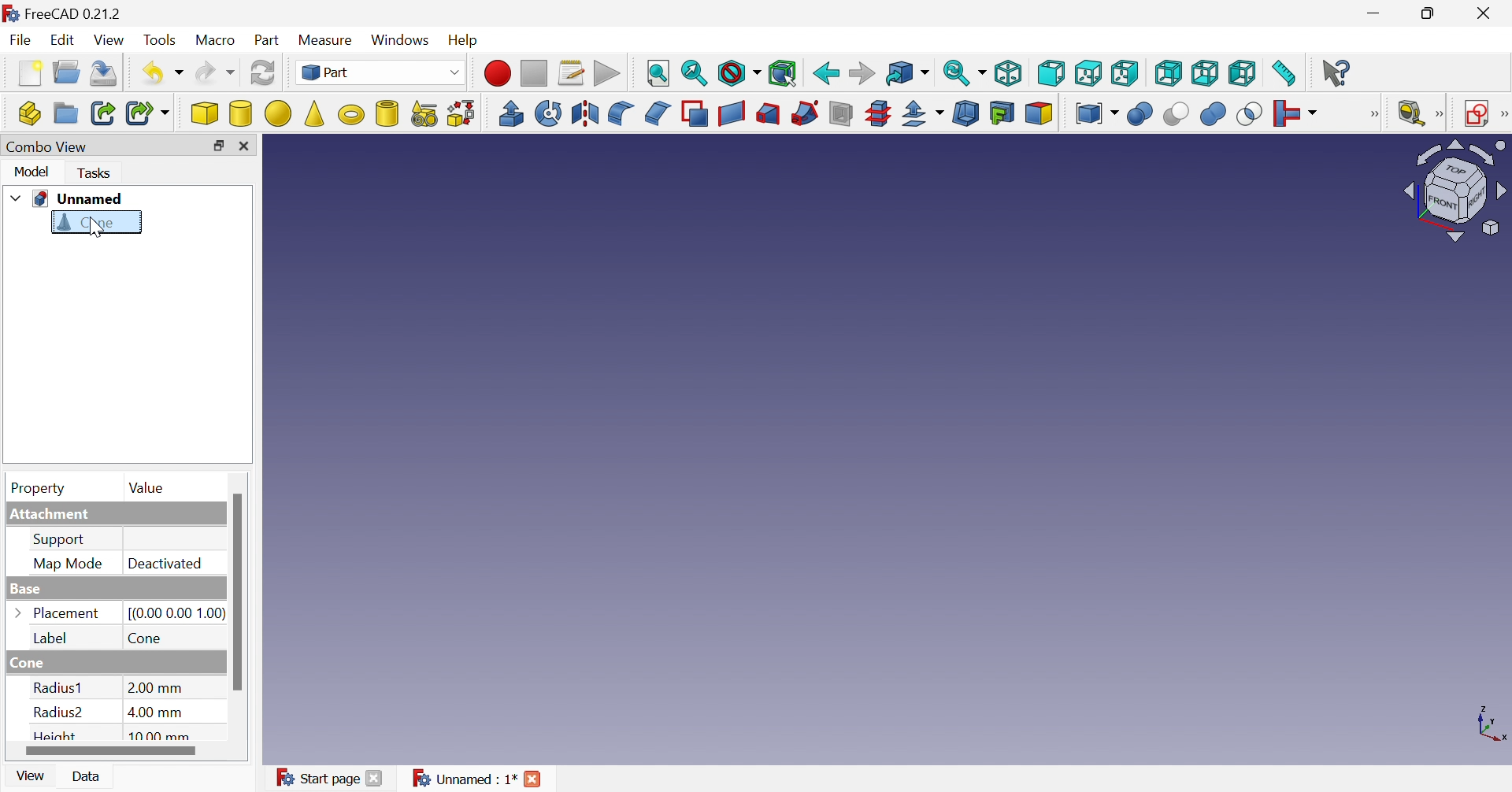 This screenshot has height=792, width=1512. Describe the element at coordinates (162, 74) in the screenshot. I see `Undo` at that location.